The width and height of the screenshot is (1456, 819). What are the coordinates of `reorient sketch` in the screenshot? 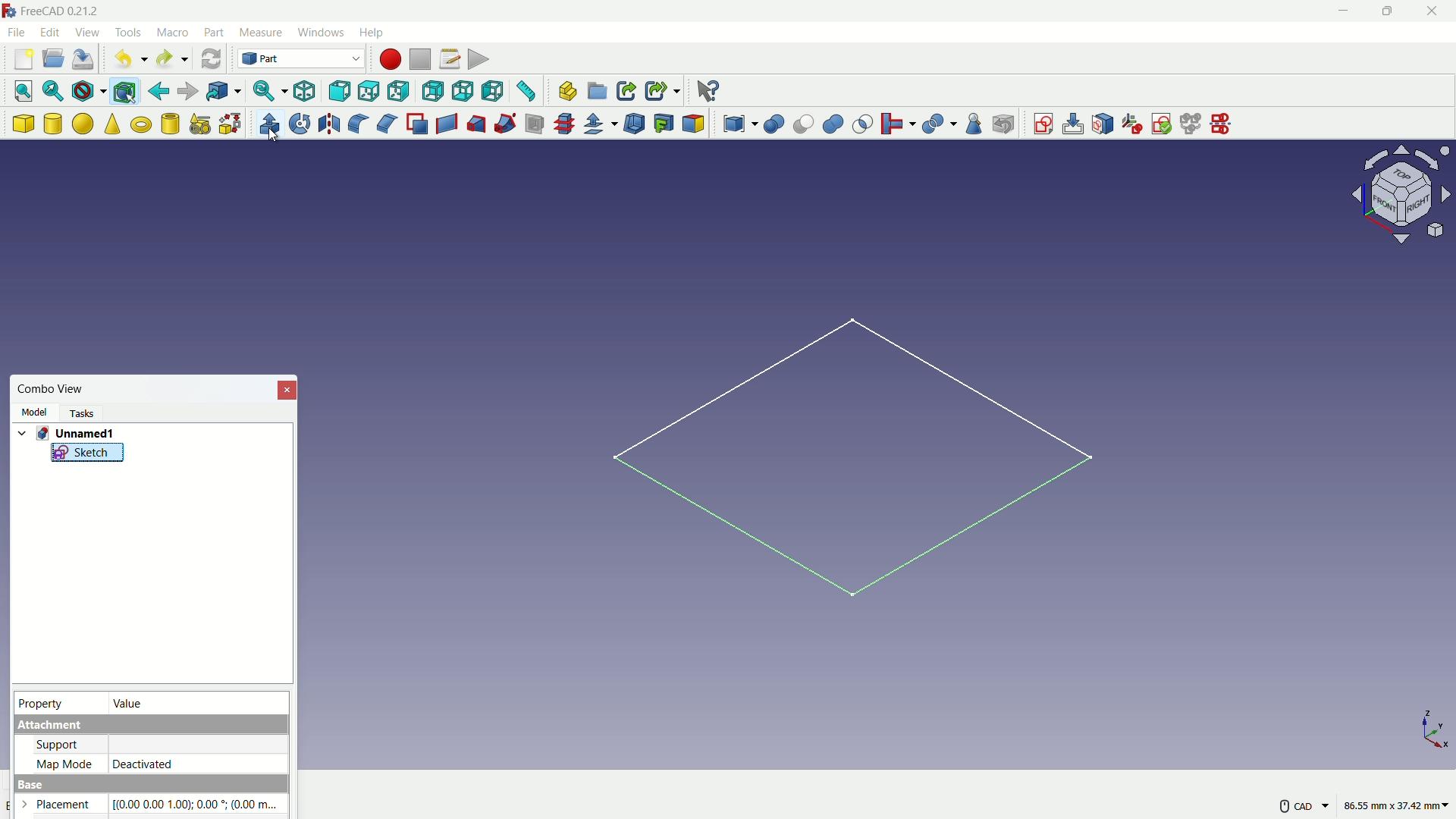 It's located at (1131, 123).